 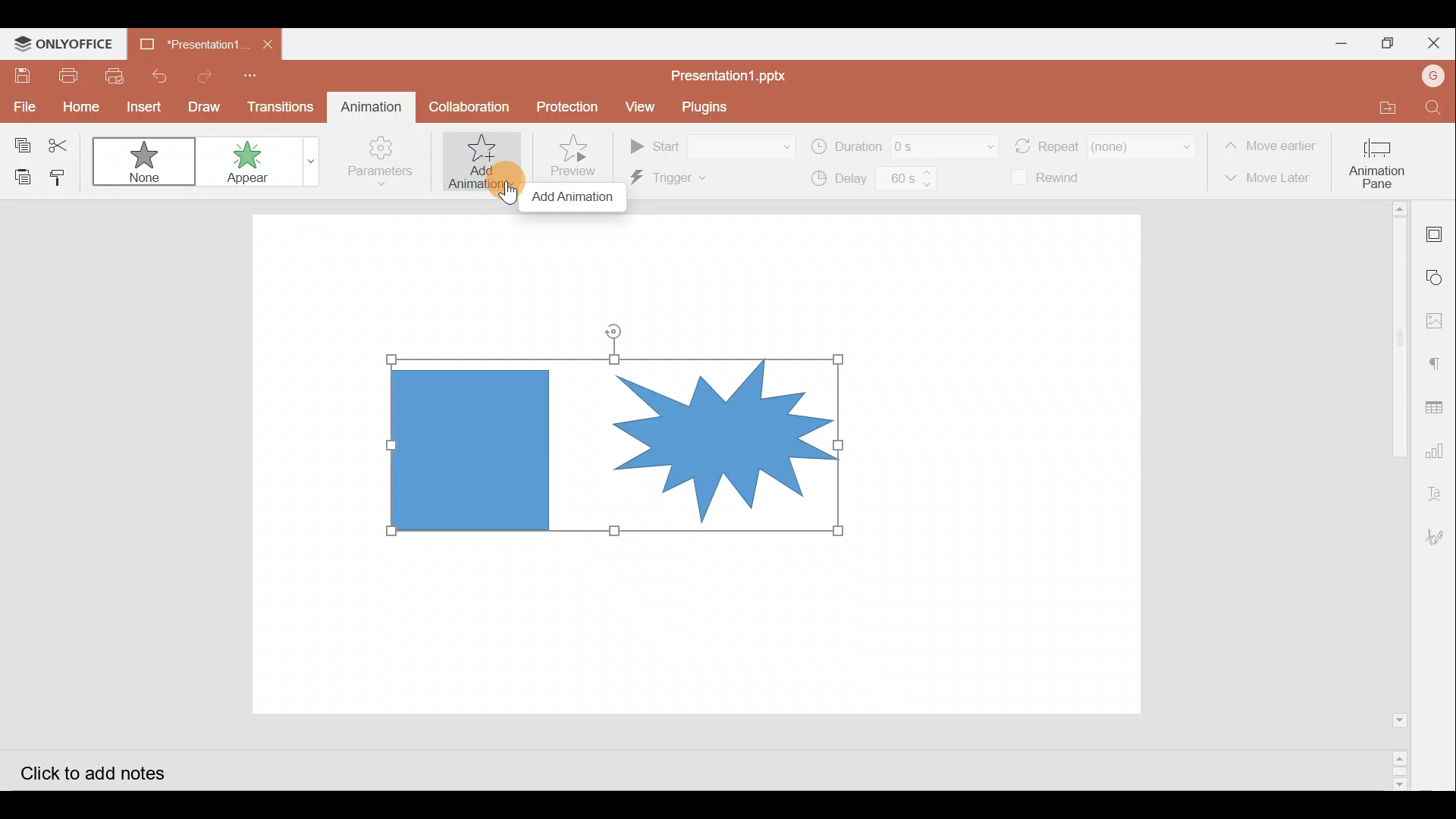 What do you see at coordinates (870, 180) in the screenshot?
I see `Delay` at bounding box center [870, 180].